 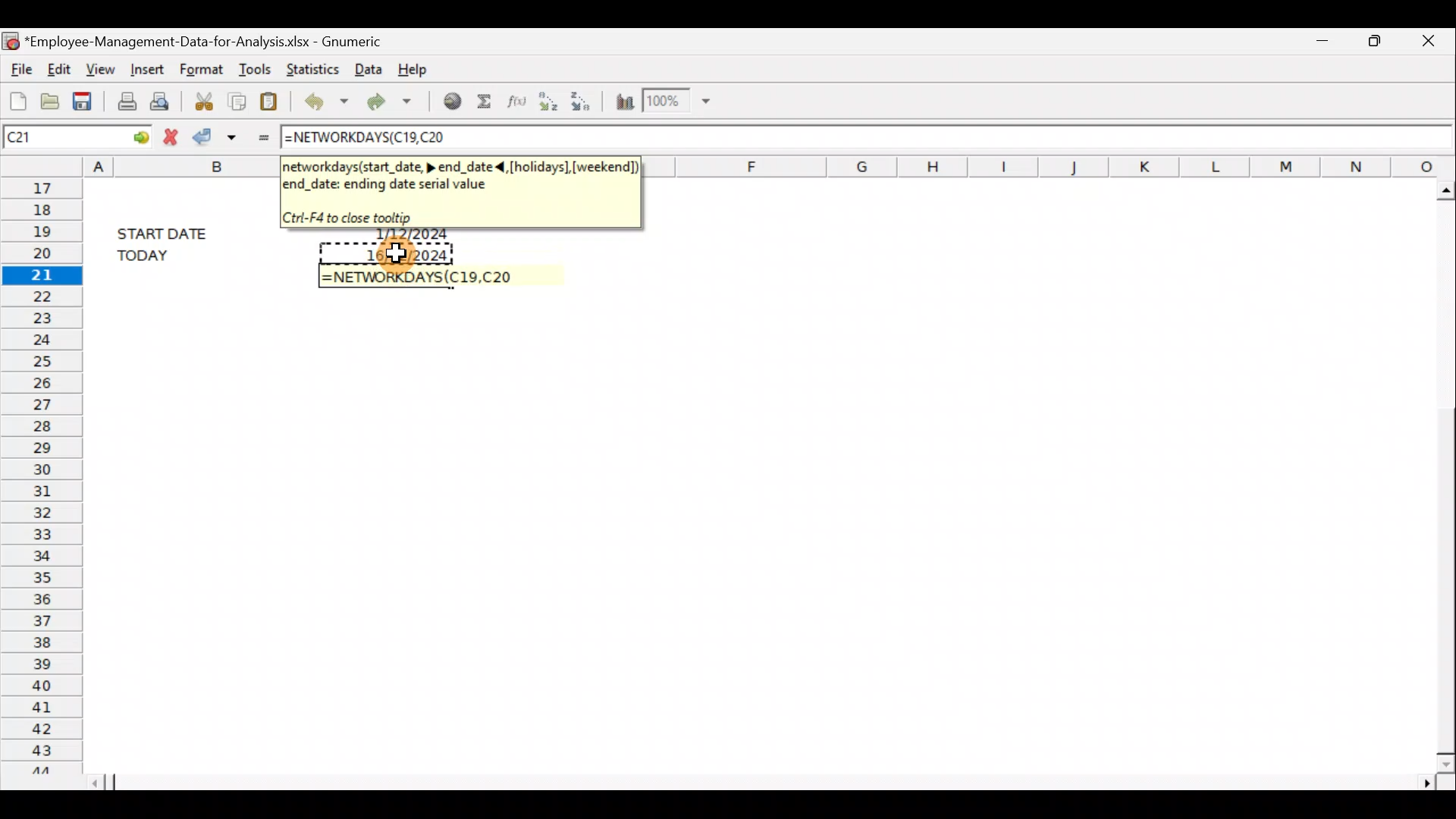 What do you see at coordinates (1056, 165) in the screenshot?
I see `Columns` at bounding box center [1056, 165].